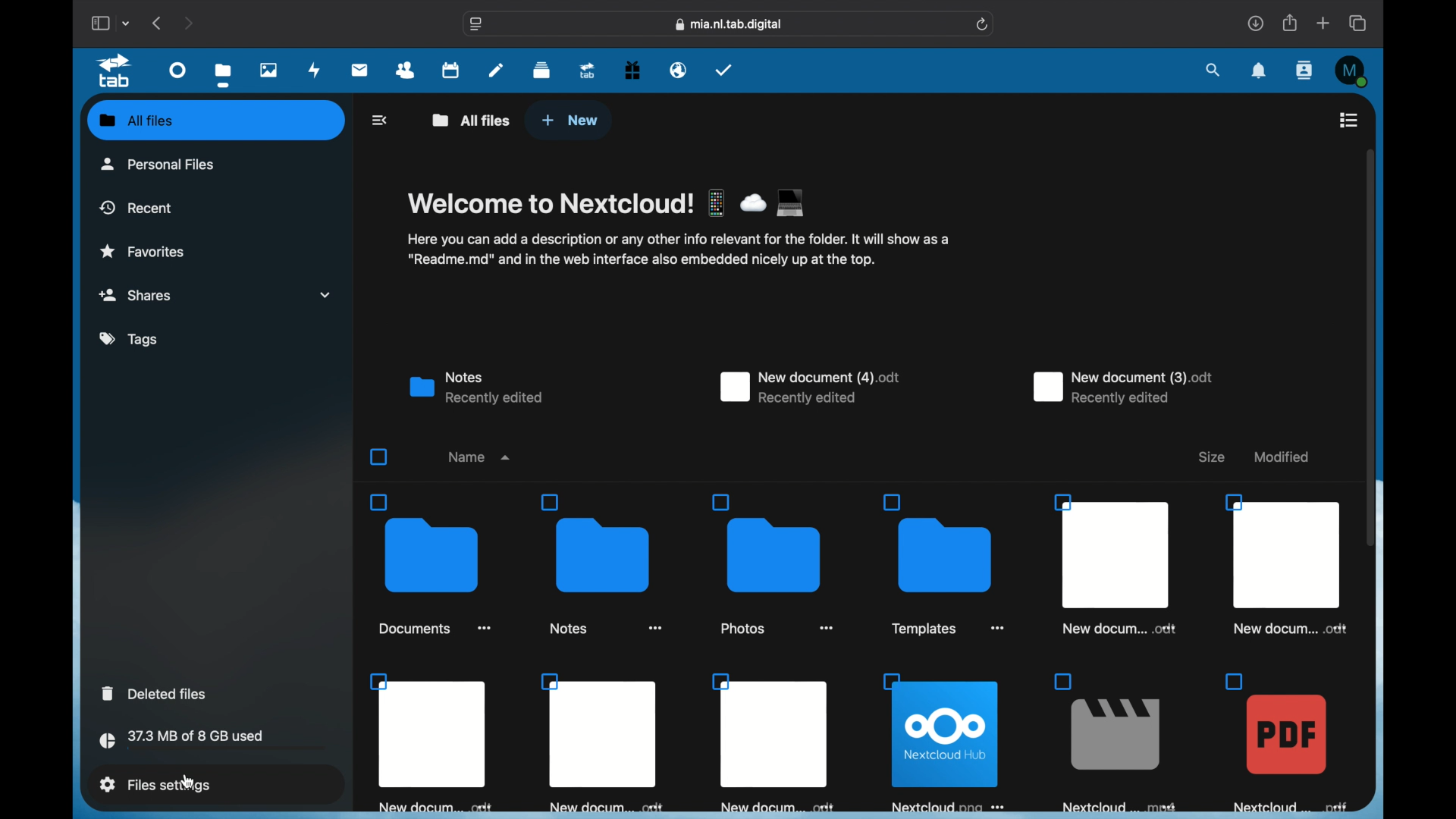 The height and width of the screenshot is (819, 1456). I want to click on , so click(477, 388).